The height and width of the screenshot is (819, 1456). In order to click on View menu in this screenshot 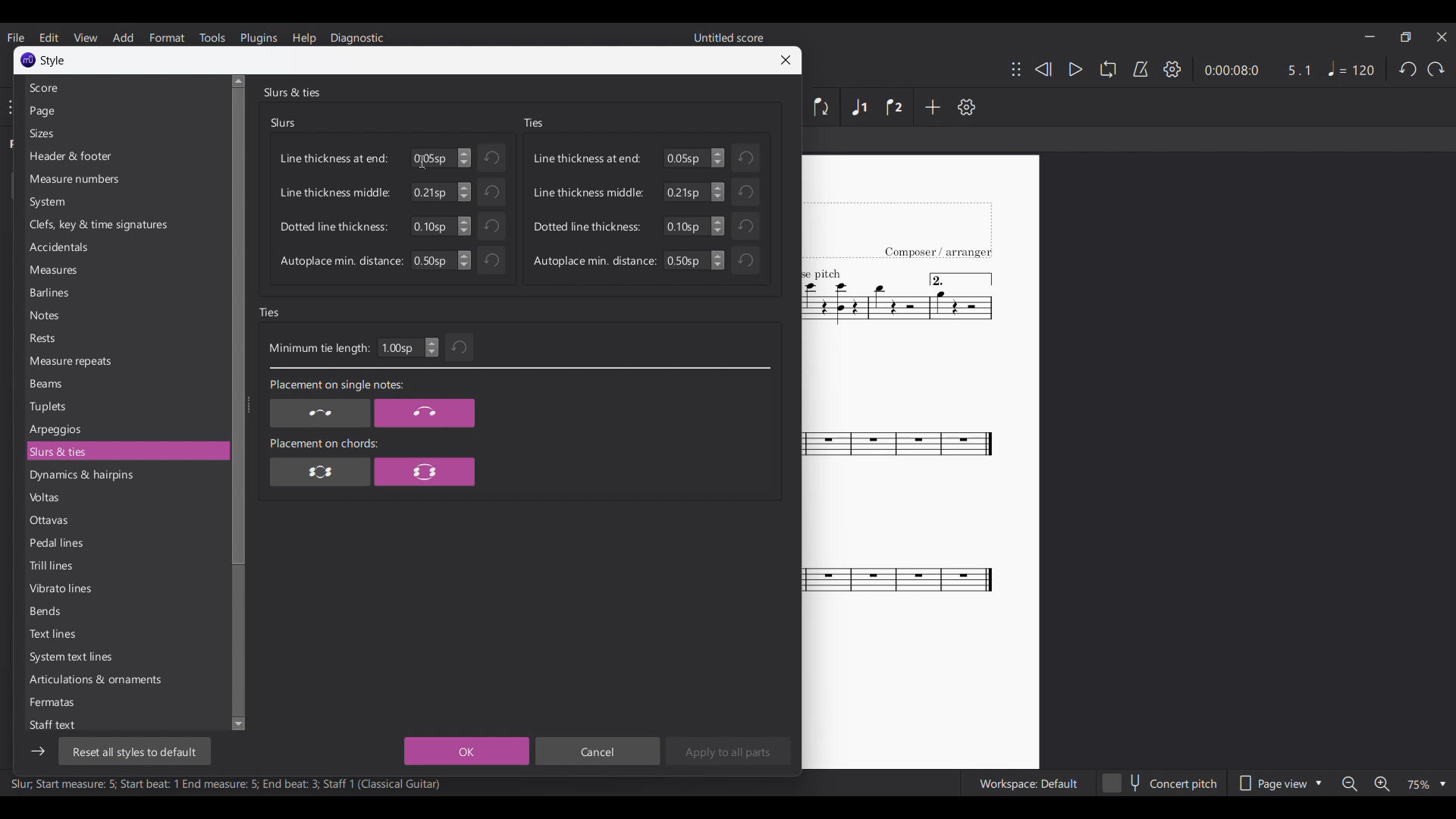, I will do `click(86, 37)`.